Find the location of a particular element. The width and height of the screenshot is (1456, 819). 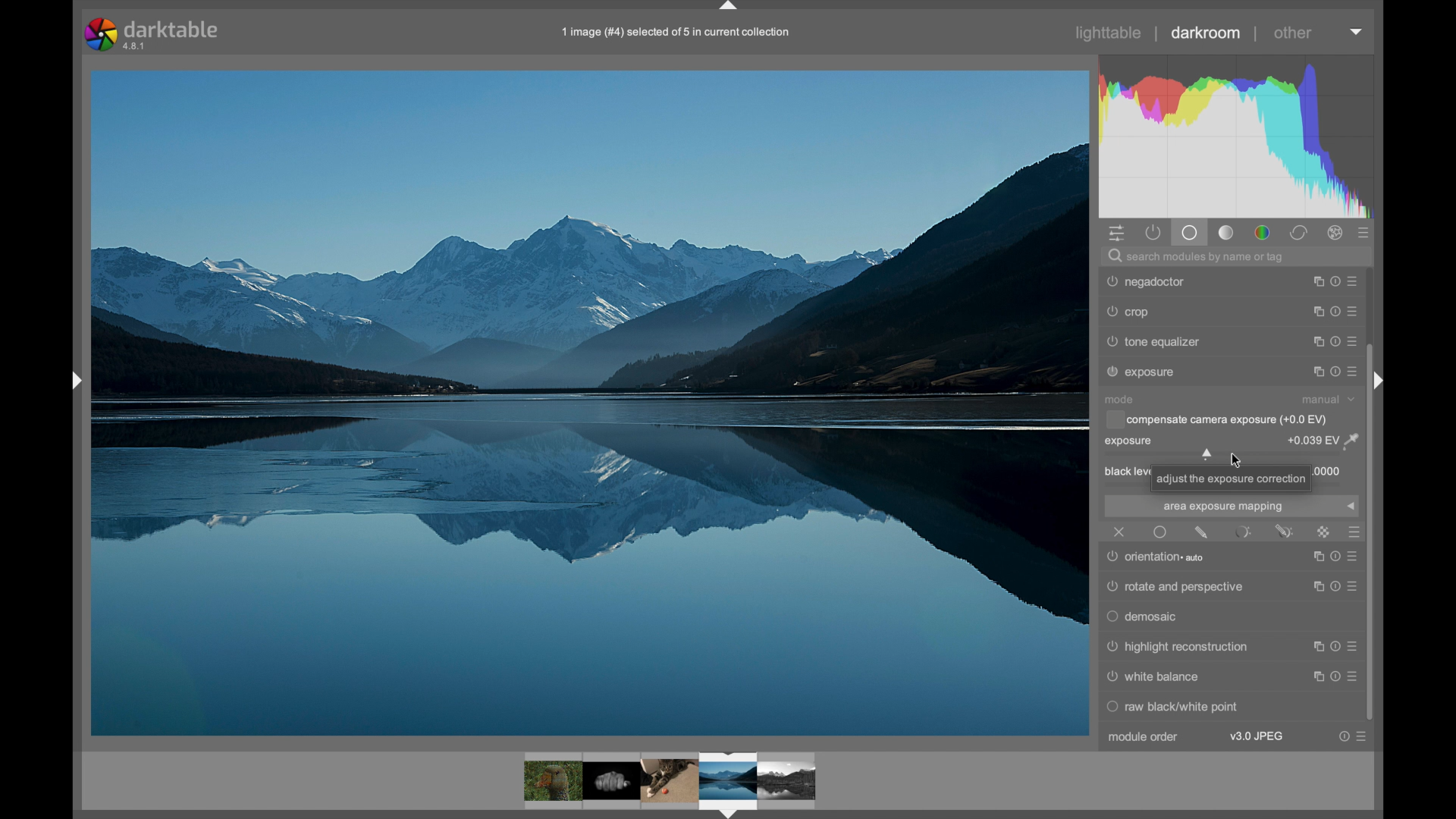

0000 is located at coordinates (1330, 471).